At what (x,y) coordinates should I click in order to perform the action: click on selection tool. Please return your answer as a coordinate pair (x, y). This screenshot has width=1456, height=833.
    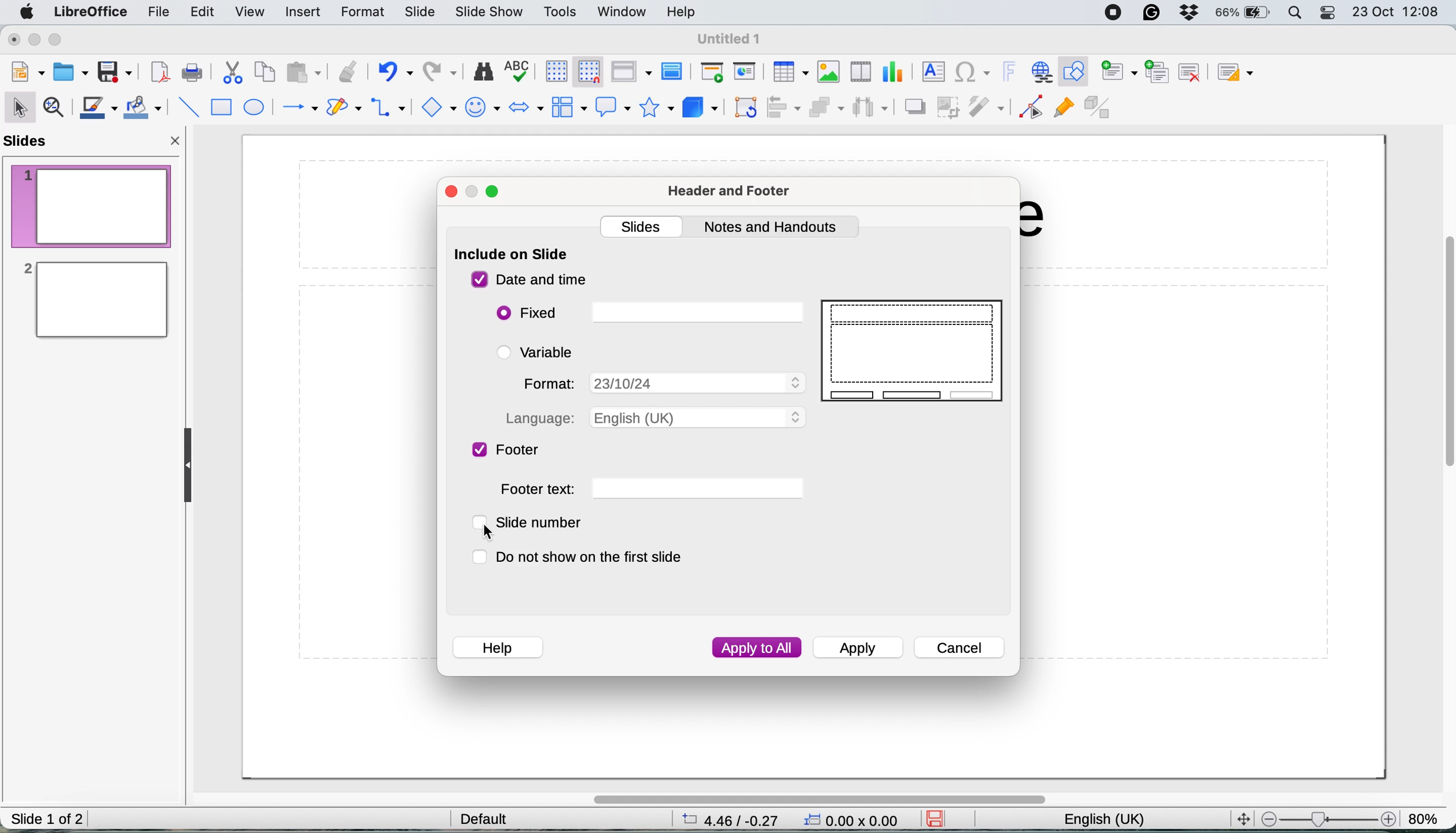
    Looking at the image, I should click on (21, 106).